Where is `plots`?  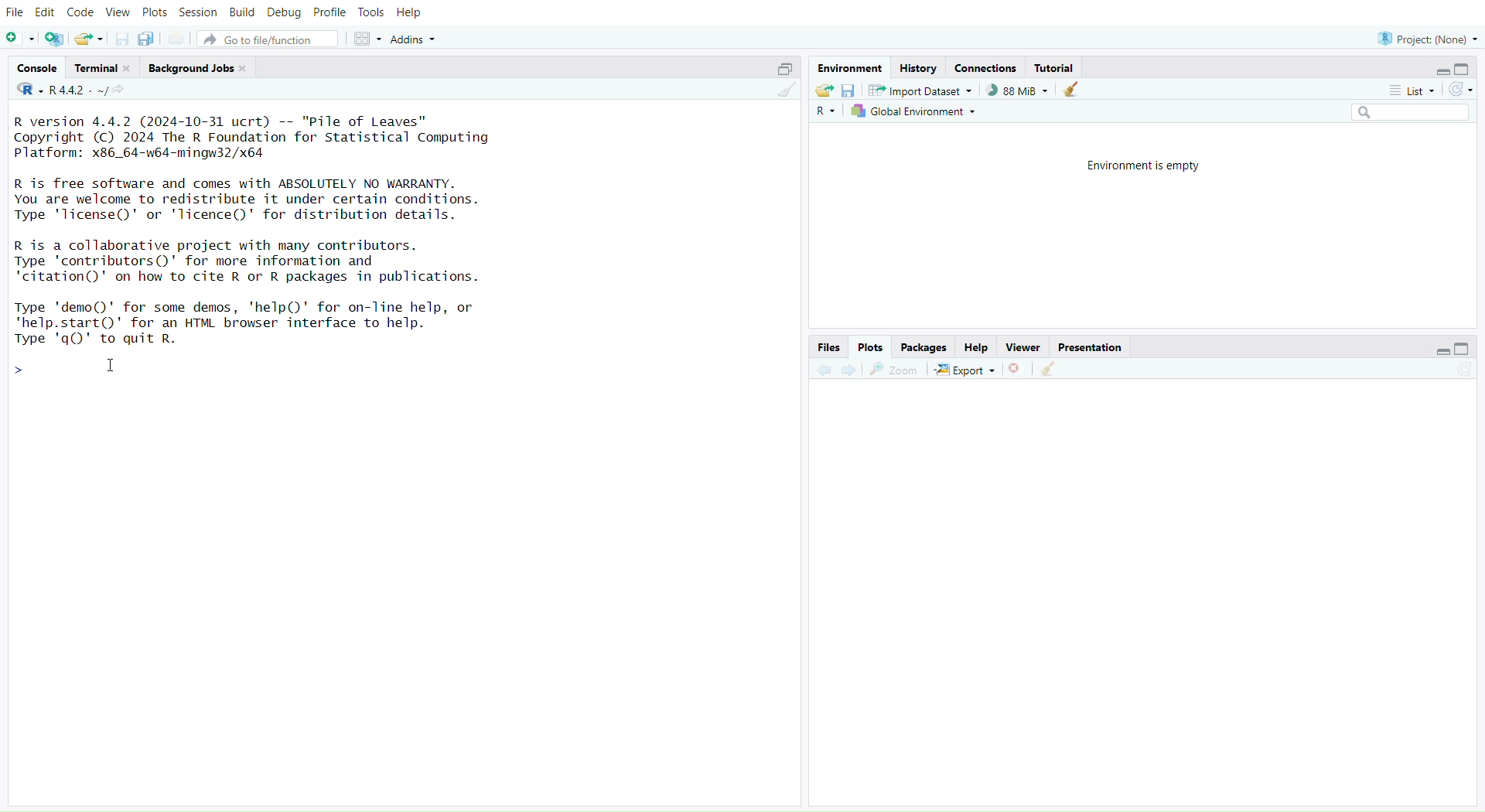
plots is located at coordinates (154, 12).